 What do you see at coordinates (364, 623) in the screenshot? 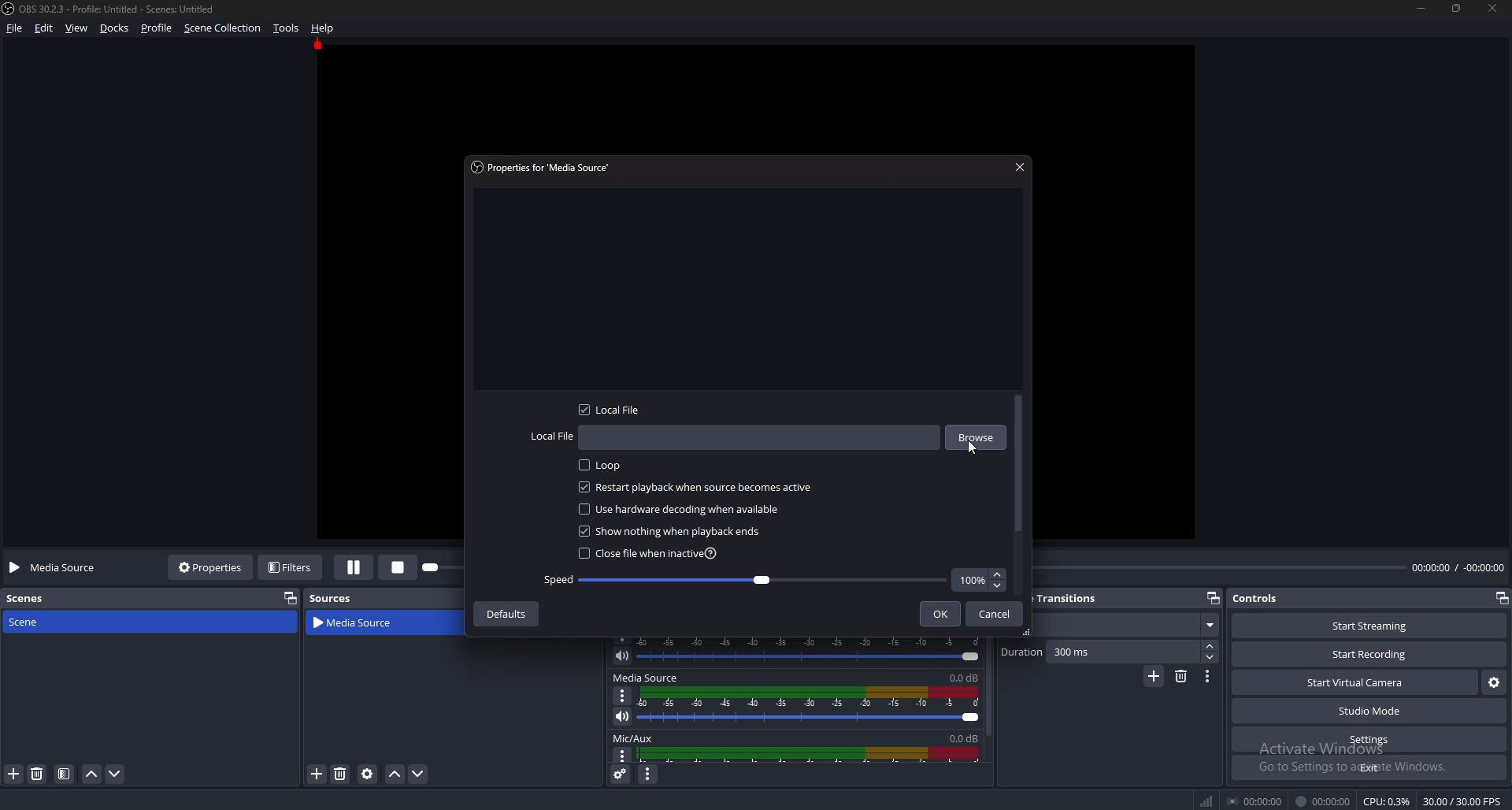
I see `media source` at bounding box center [364, 623].